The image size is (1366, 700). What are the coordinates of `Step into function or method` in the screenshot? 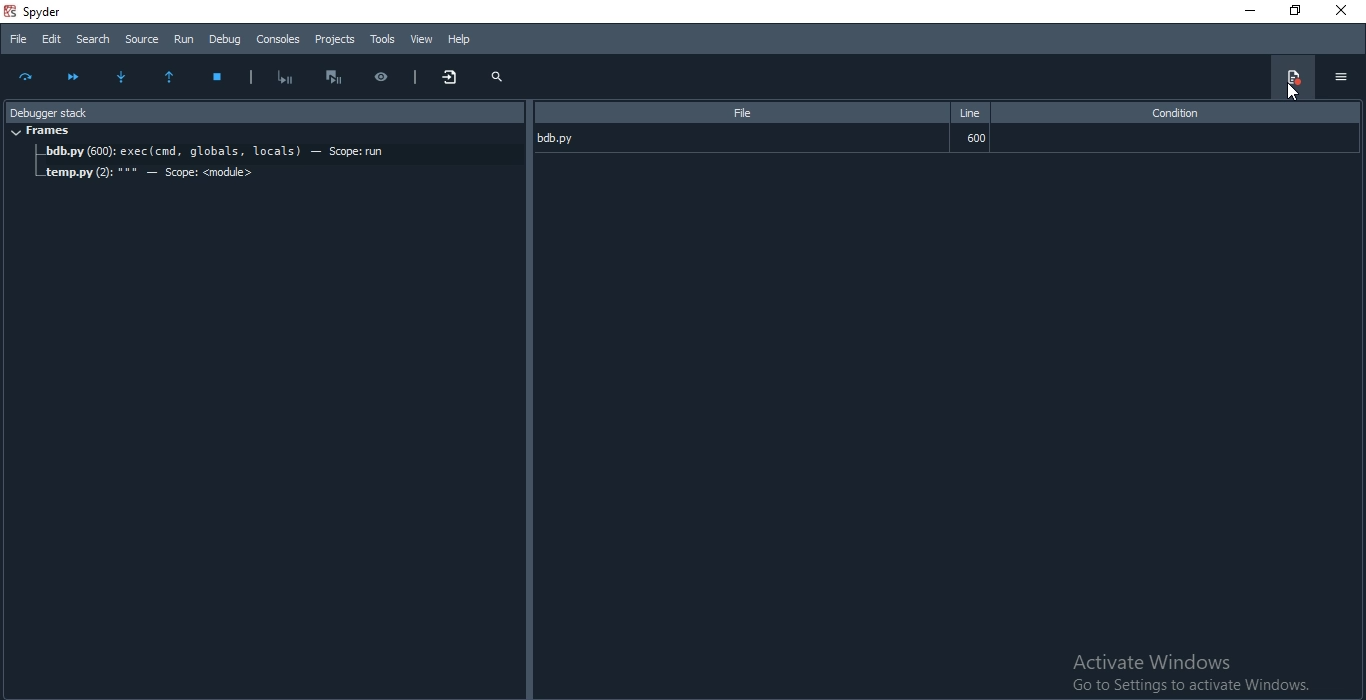 It's located at (126, 78).